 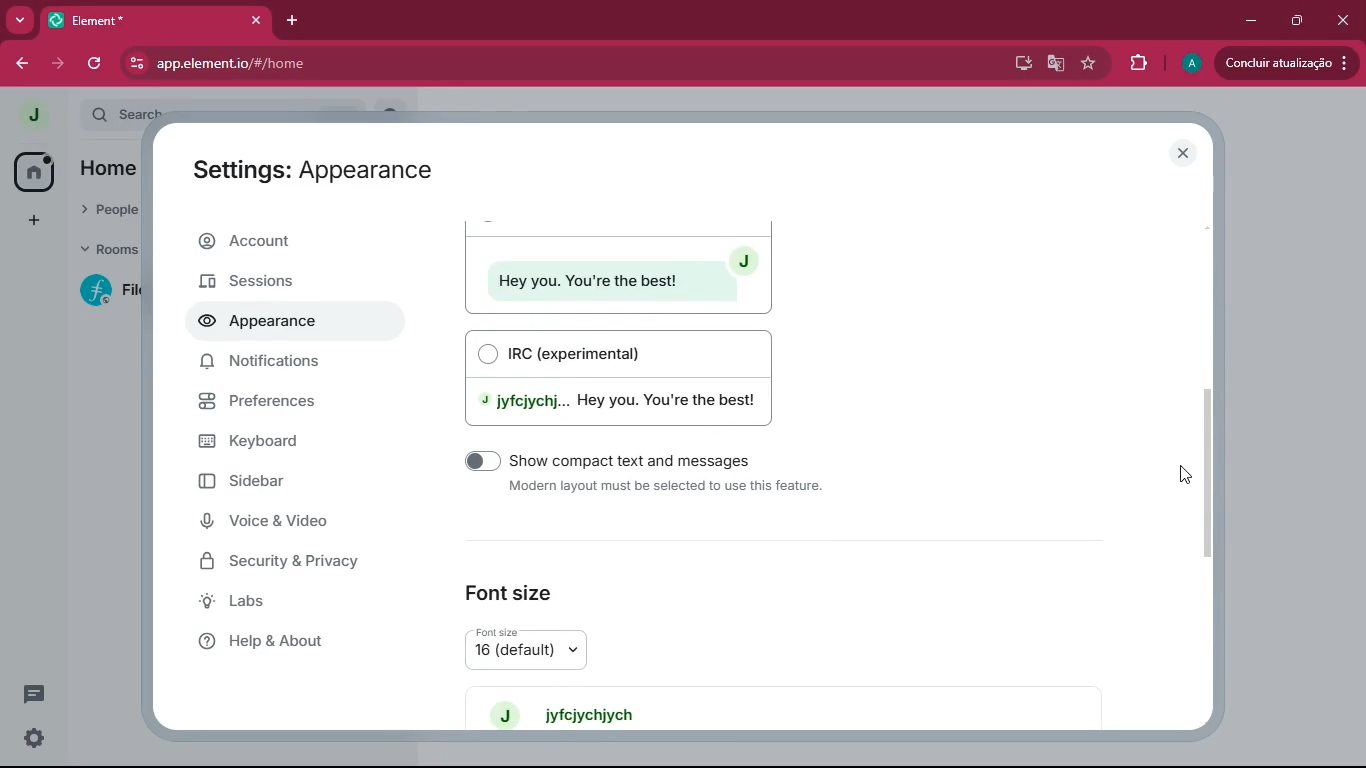 What do you see at coordinates (1299, 20) in the screenshot?
I see `maximize` at bounding box center [1299, 20].